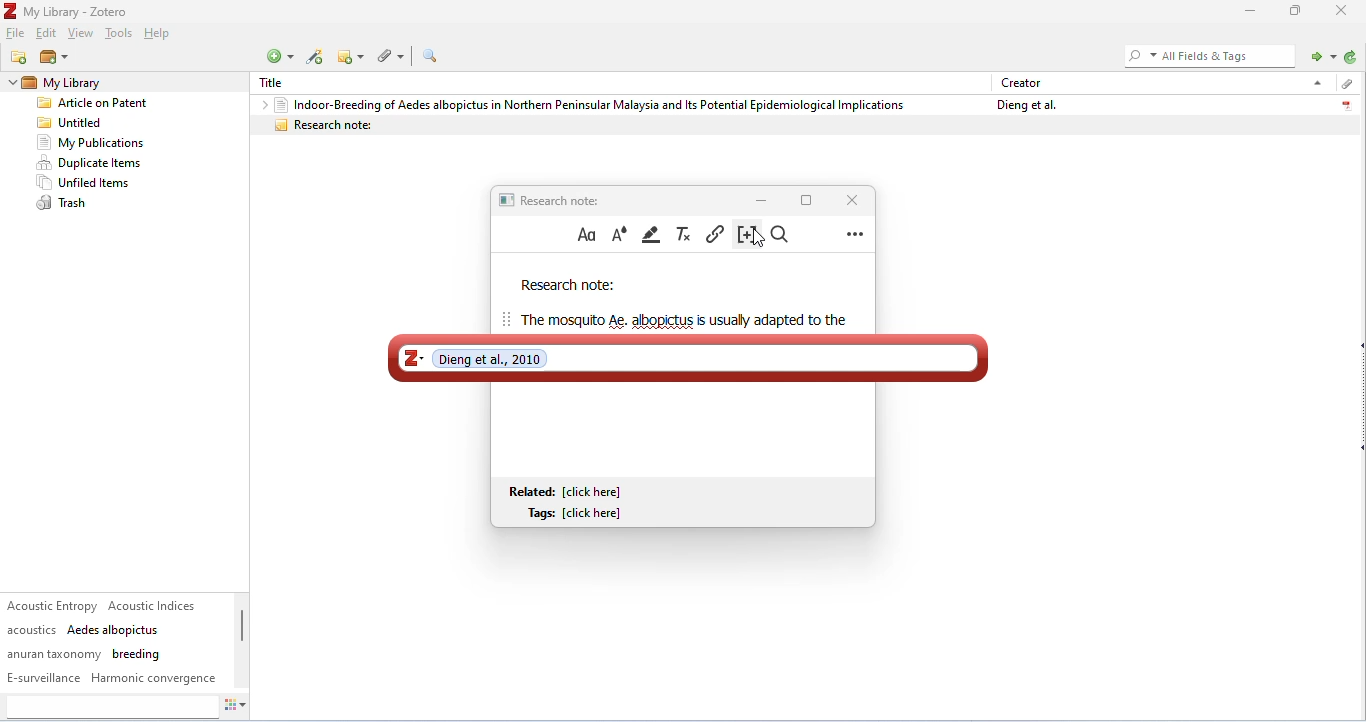  Describe the element at coordinates (1344, 10) in the screenshot. I see `close` at that location.